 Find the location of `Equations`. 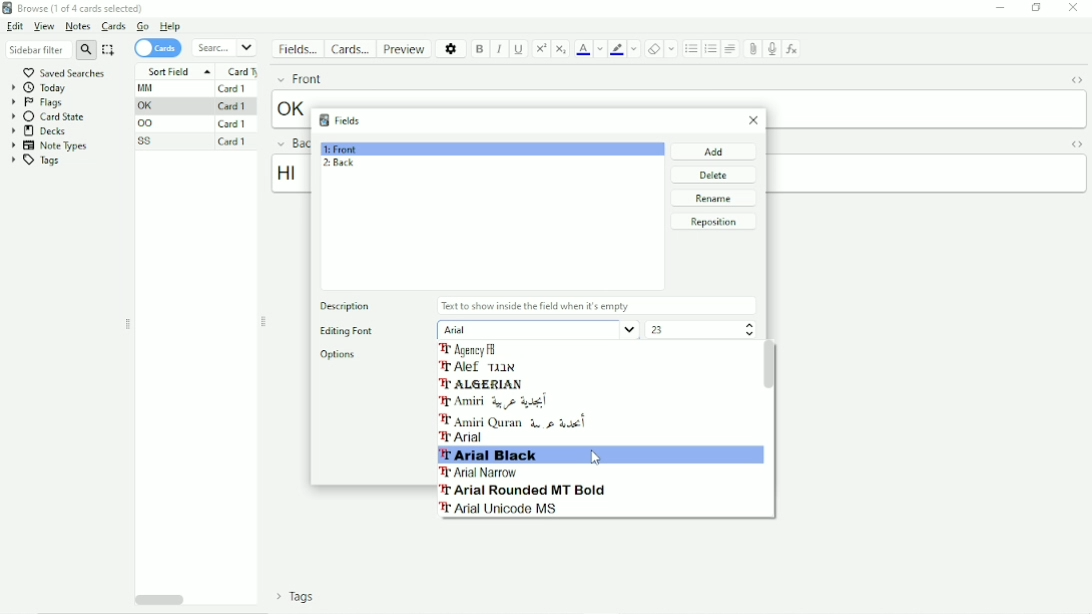

Equations is located at coordinates (793, 49).